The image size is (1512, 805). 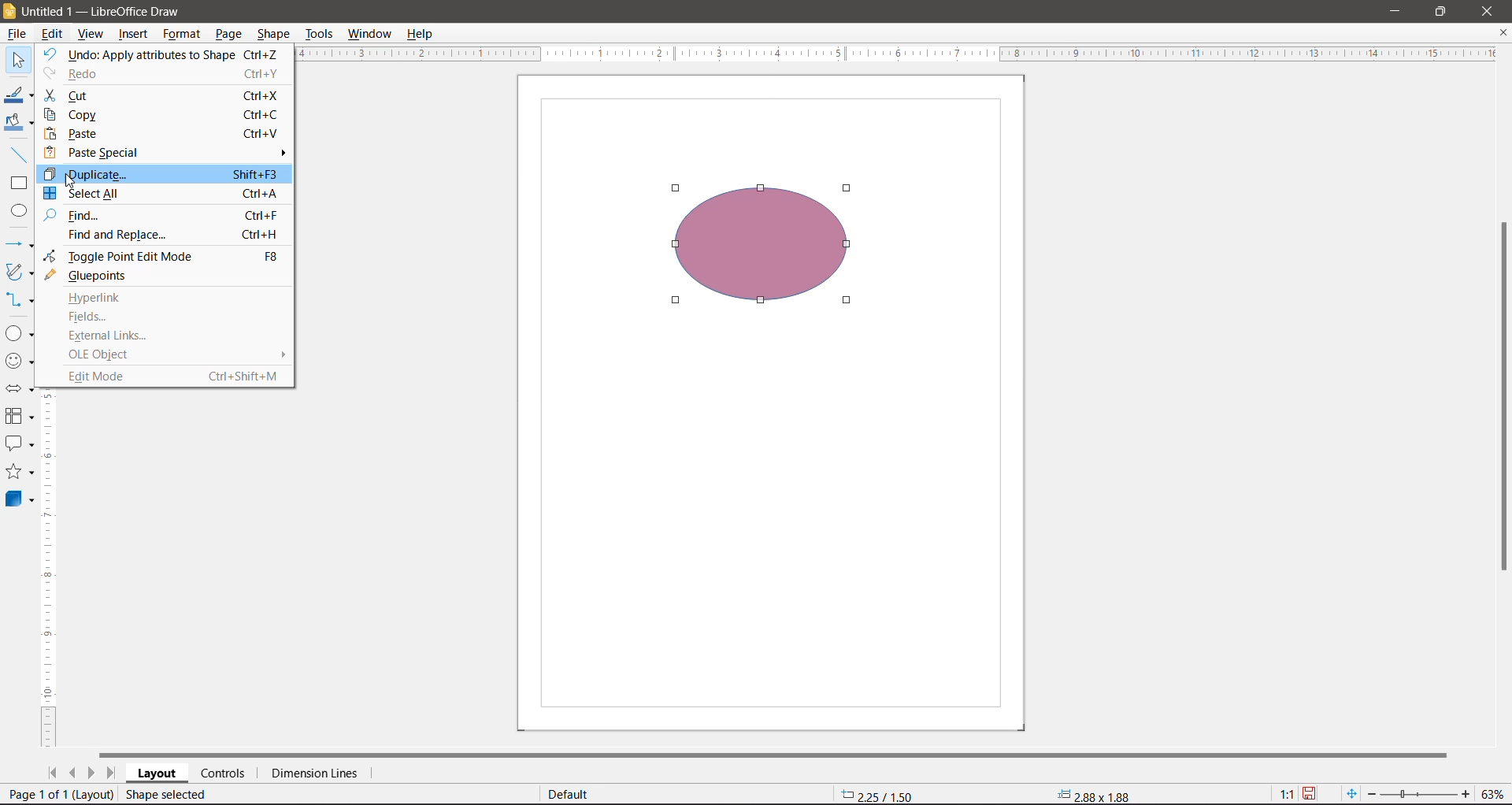 I want to click on Controls, so click(x=226, y=773).